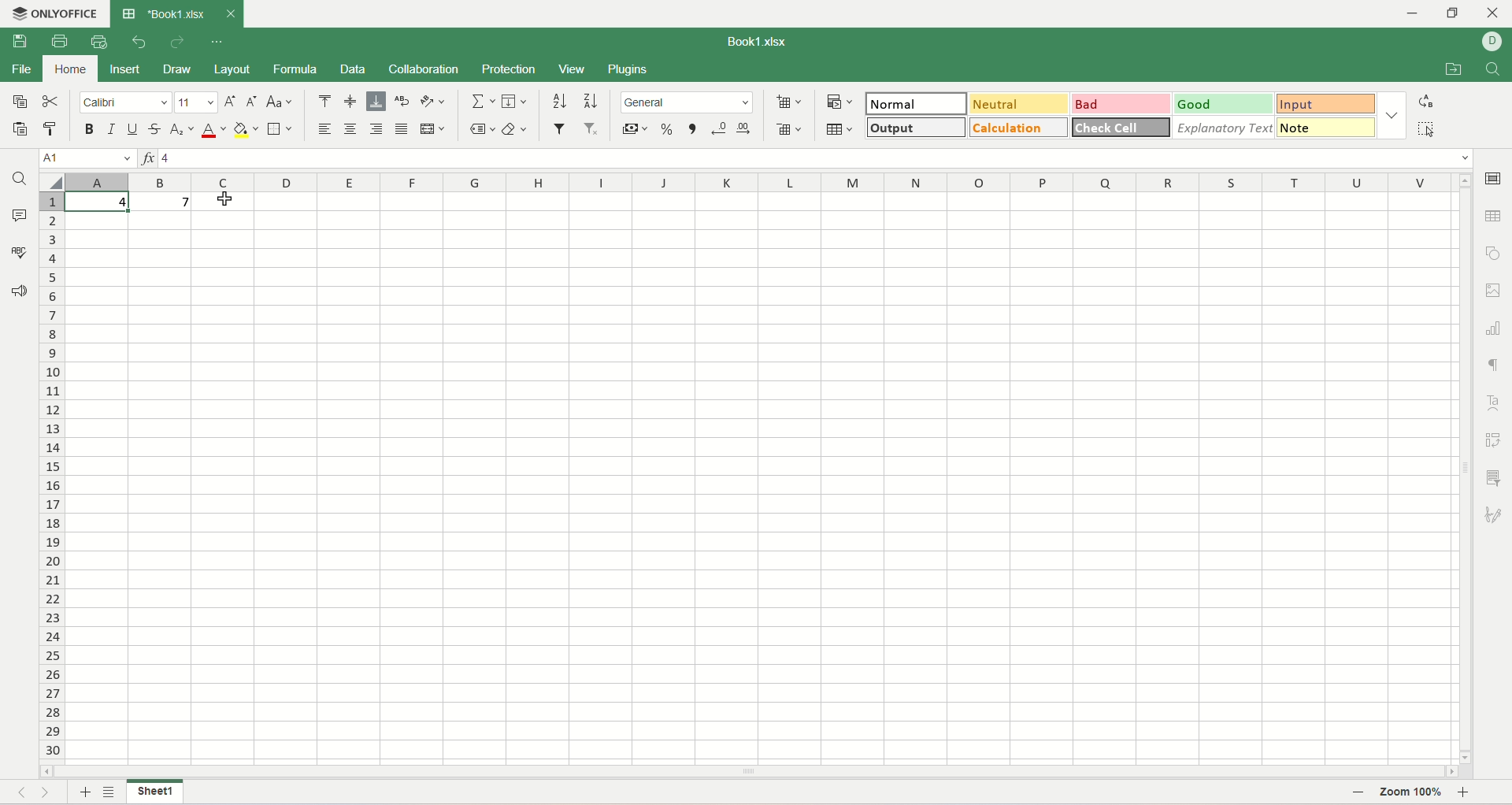 The width and height of the screenshot is (1512, 805). Describe the element at coordinates (155, 129) in the screenshot. I see `strikethrough` at that location.